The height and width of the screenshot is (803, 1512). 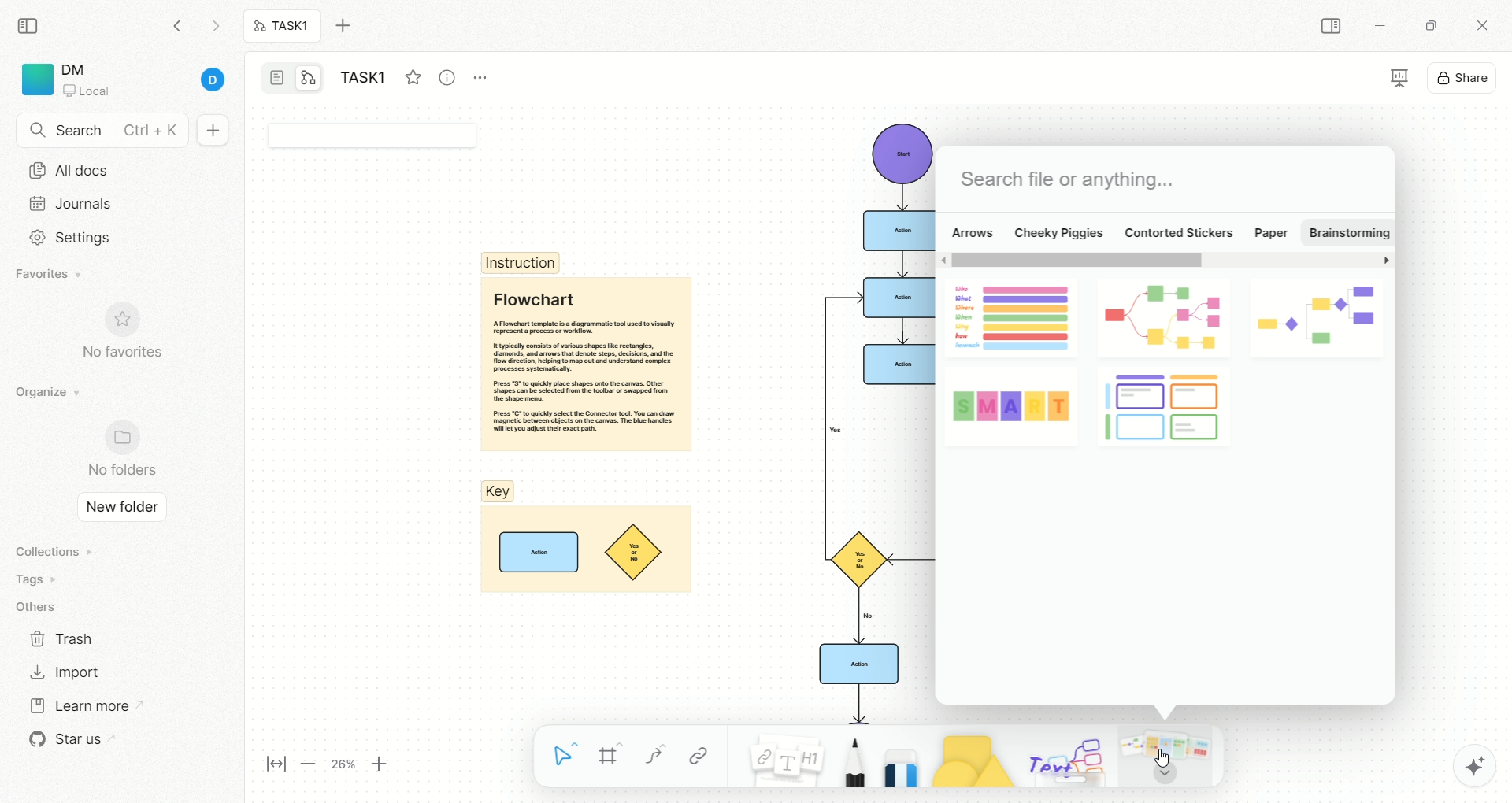 What do you see at coordinates (278, 80) in the screenshot?
I see `page mode` at bounding box center [278, 80].